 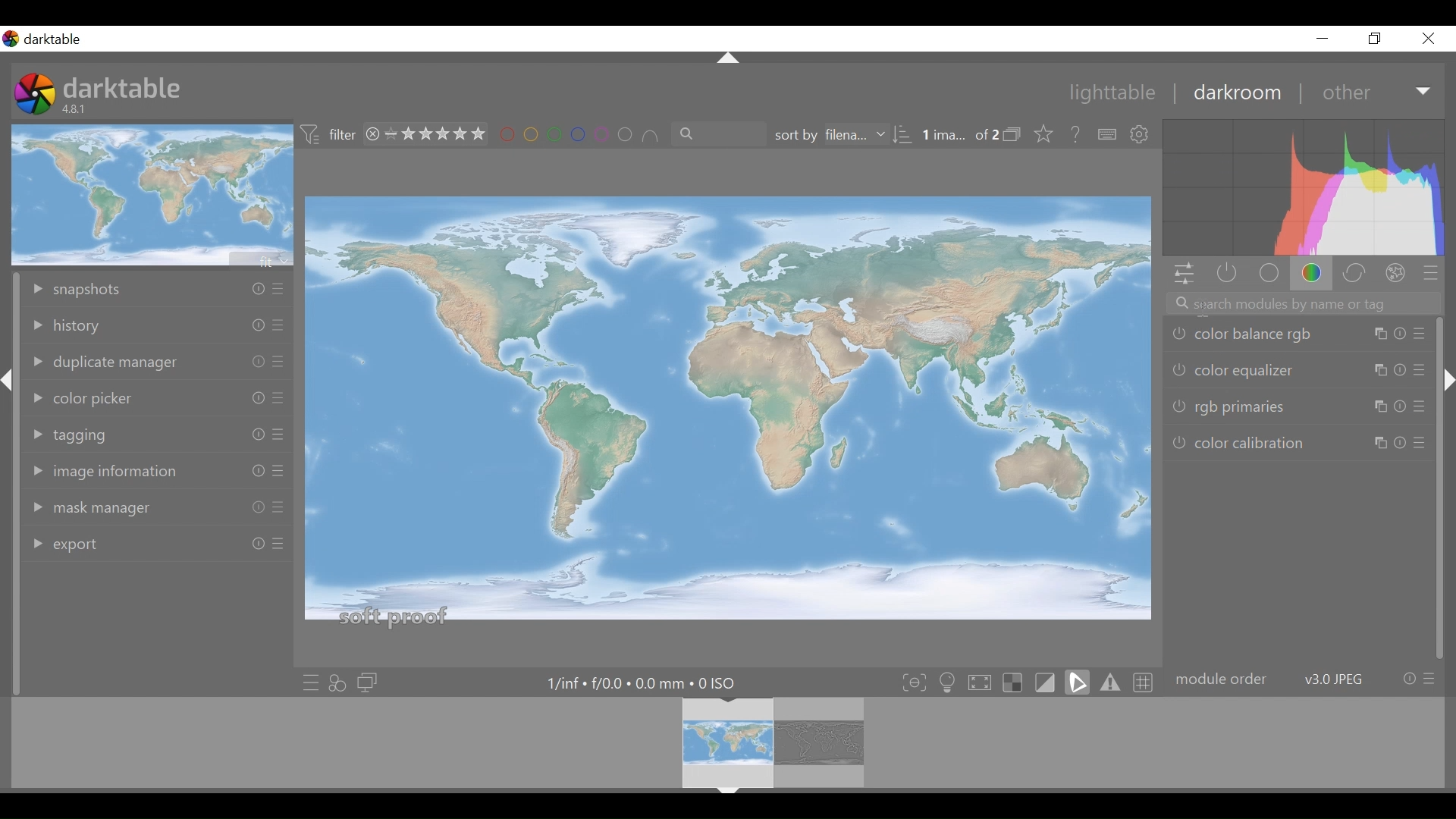 What do you see at coordinates (1267, 275) in the screenshot?
I see `base` at bounding box center [1267, 275].